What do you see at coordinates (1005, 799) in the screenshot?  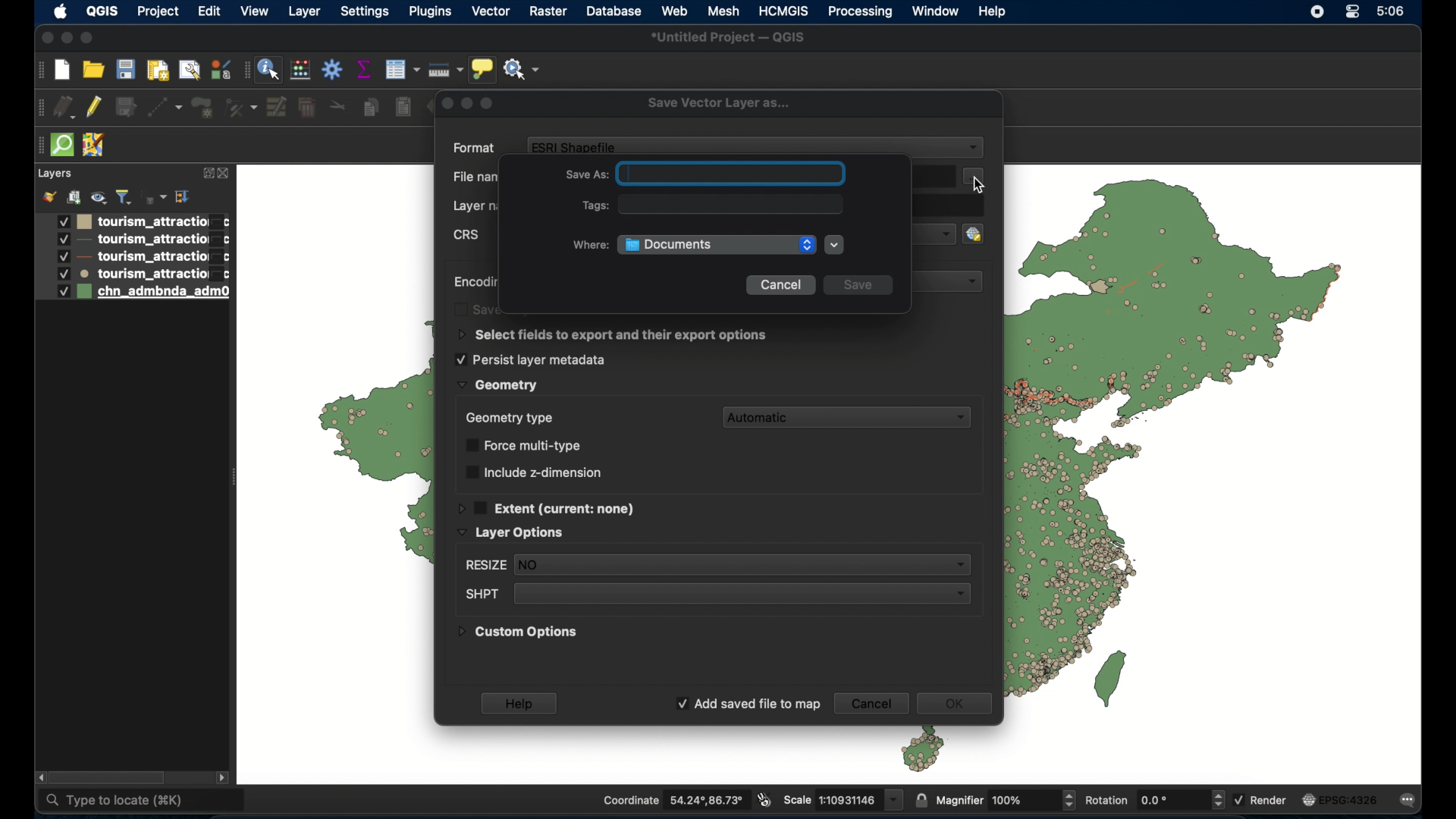 I see `magnifier` at bounding box center [1005, 799].